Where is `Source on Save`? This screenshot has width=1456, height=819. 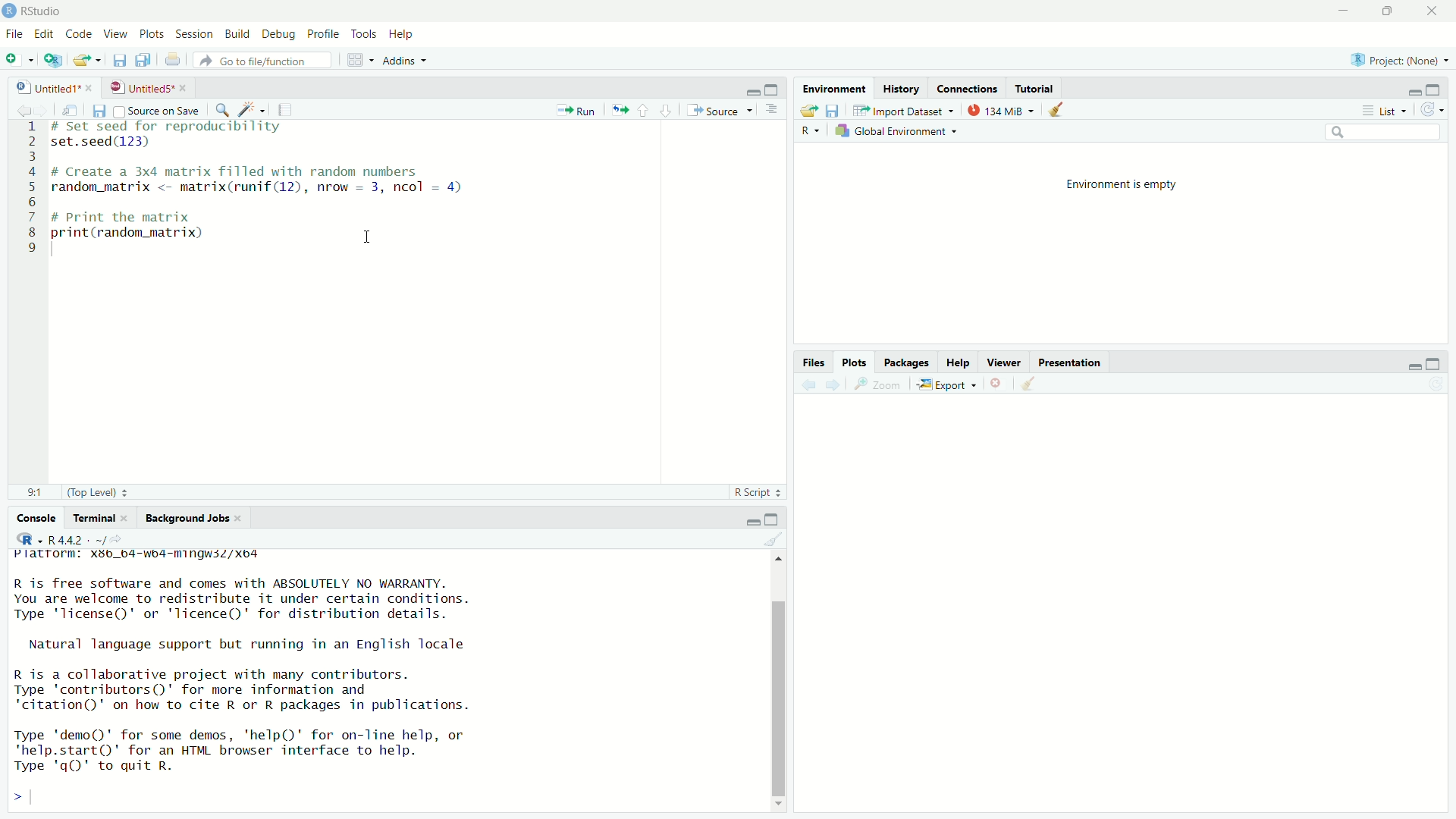
Source on Save is located at coordinates (156, 110).